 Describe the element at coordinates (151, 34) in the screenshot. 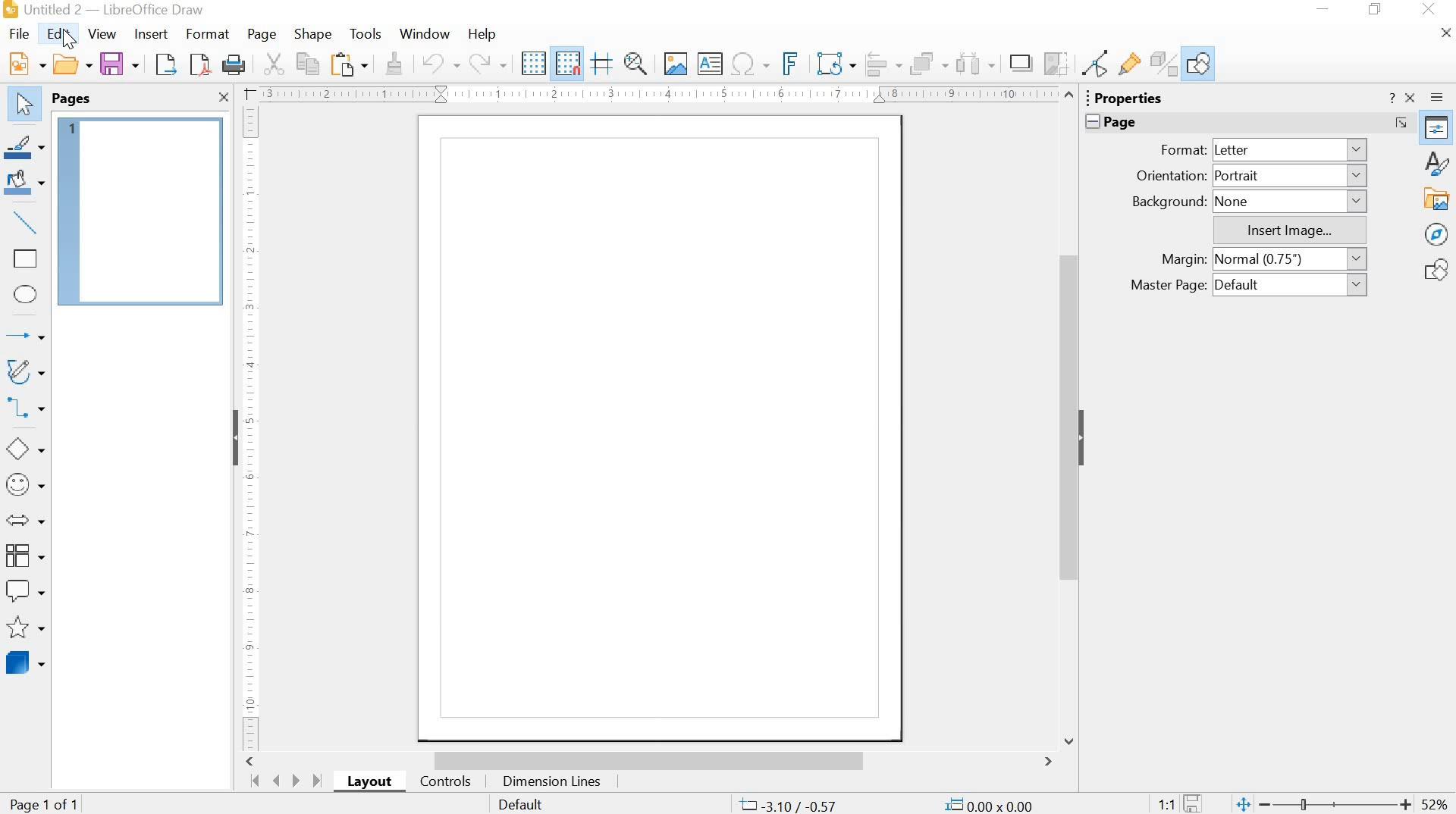

I see `Insert` at that location.